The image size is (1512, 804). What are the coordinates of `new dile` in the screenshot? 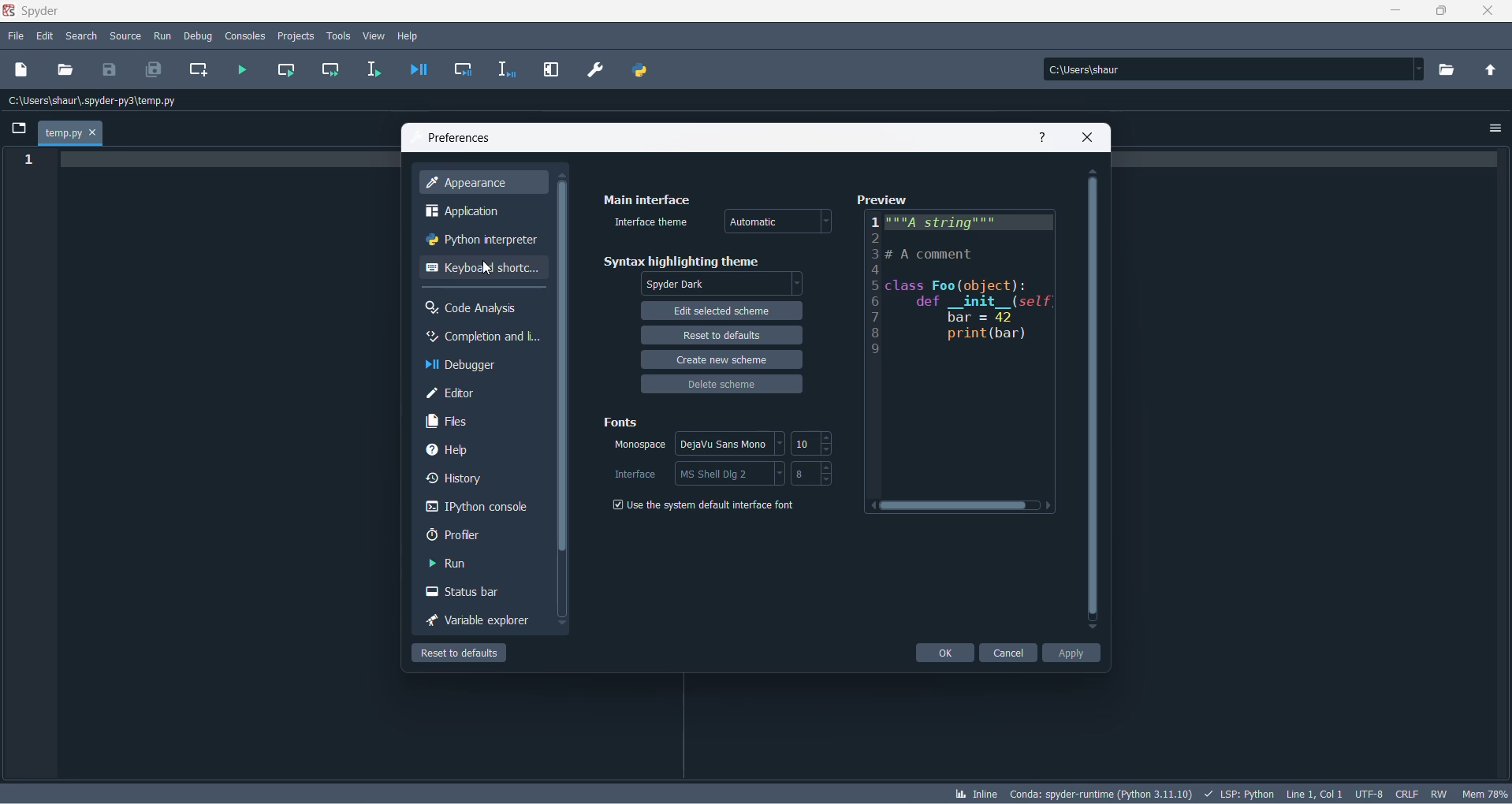 It's located at (22, 69).